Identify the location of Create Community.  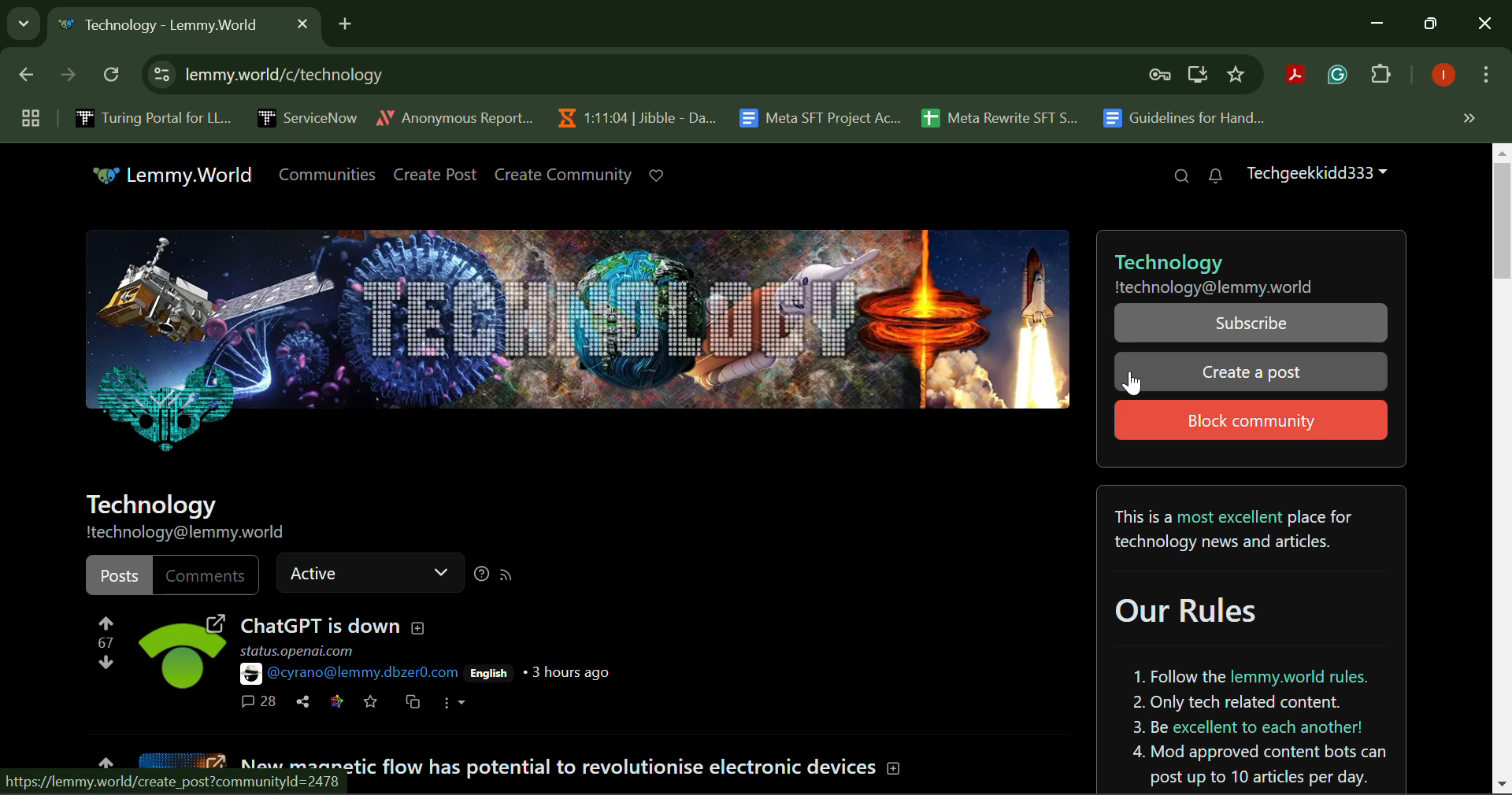
(564, 176).